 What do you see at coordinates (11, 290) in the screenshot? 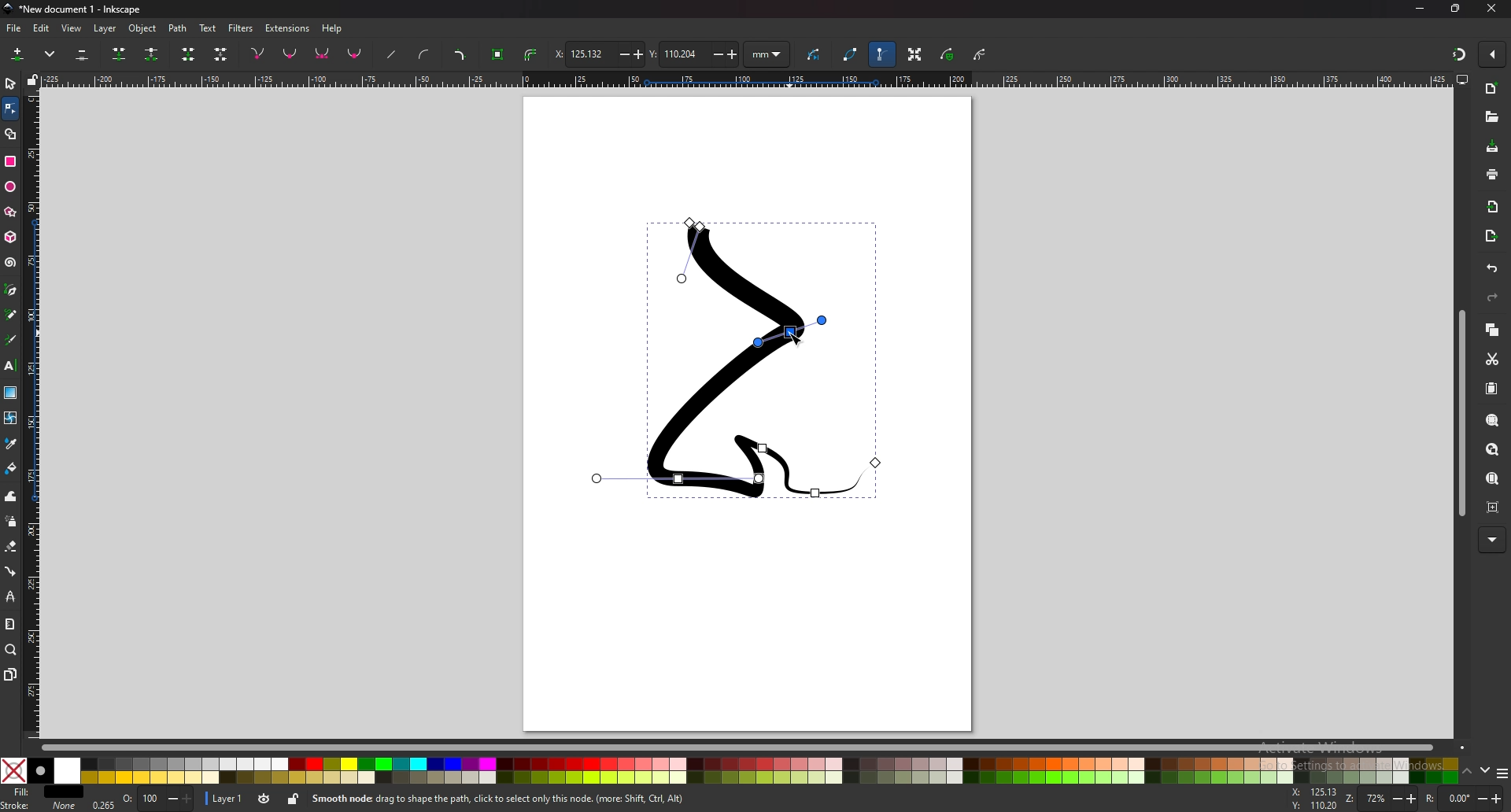
I see `pen` at bounding box center [11, 290].